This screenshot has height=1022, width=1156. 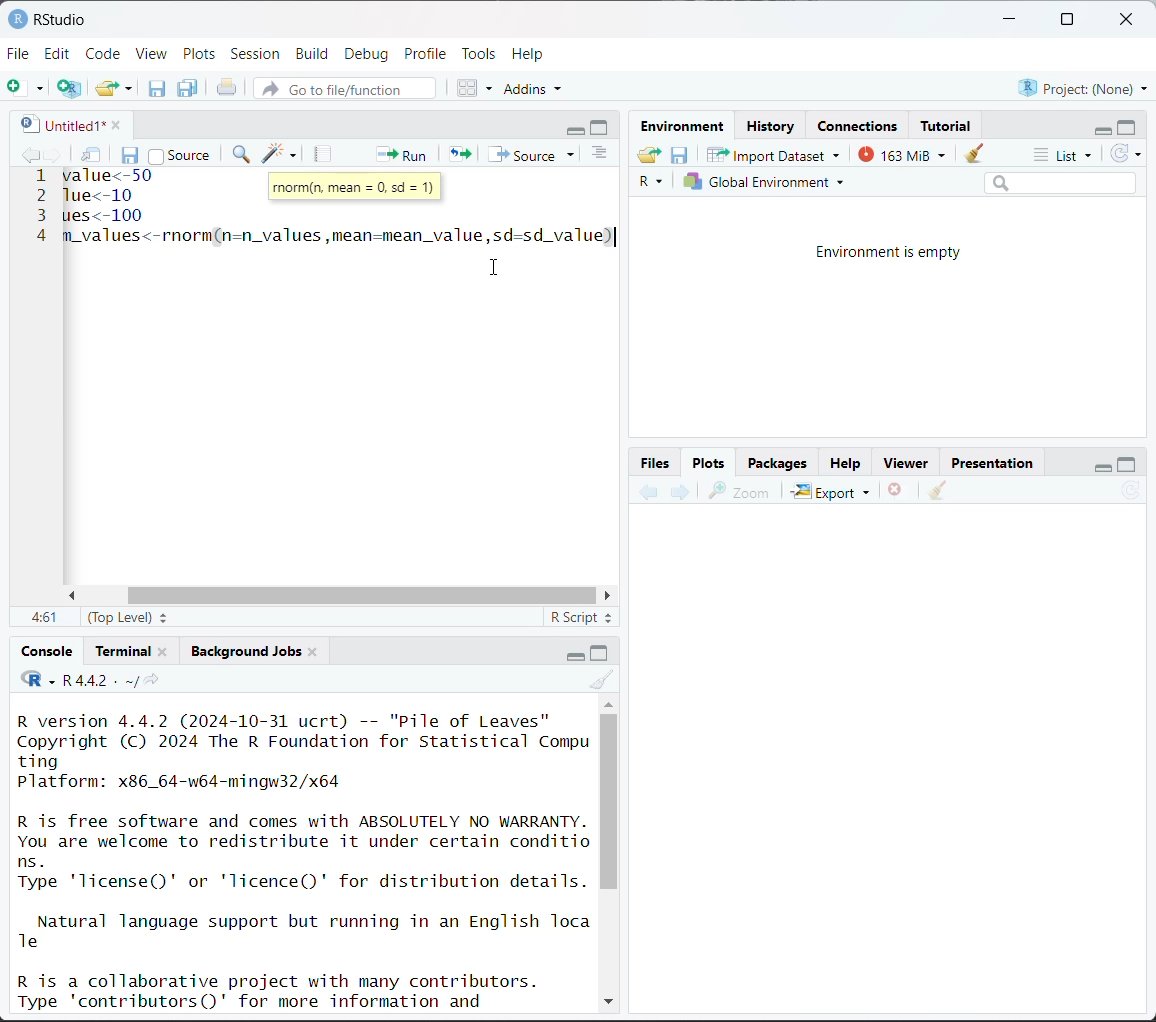 What do you see at coordinates (152, 55) in the screenshot?
I see `View` at bounding box center [152, 55].